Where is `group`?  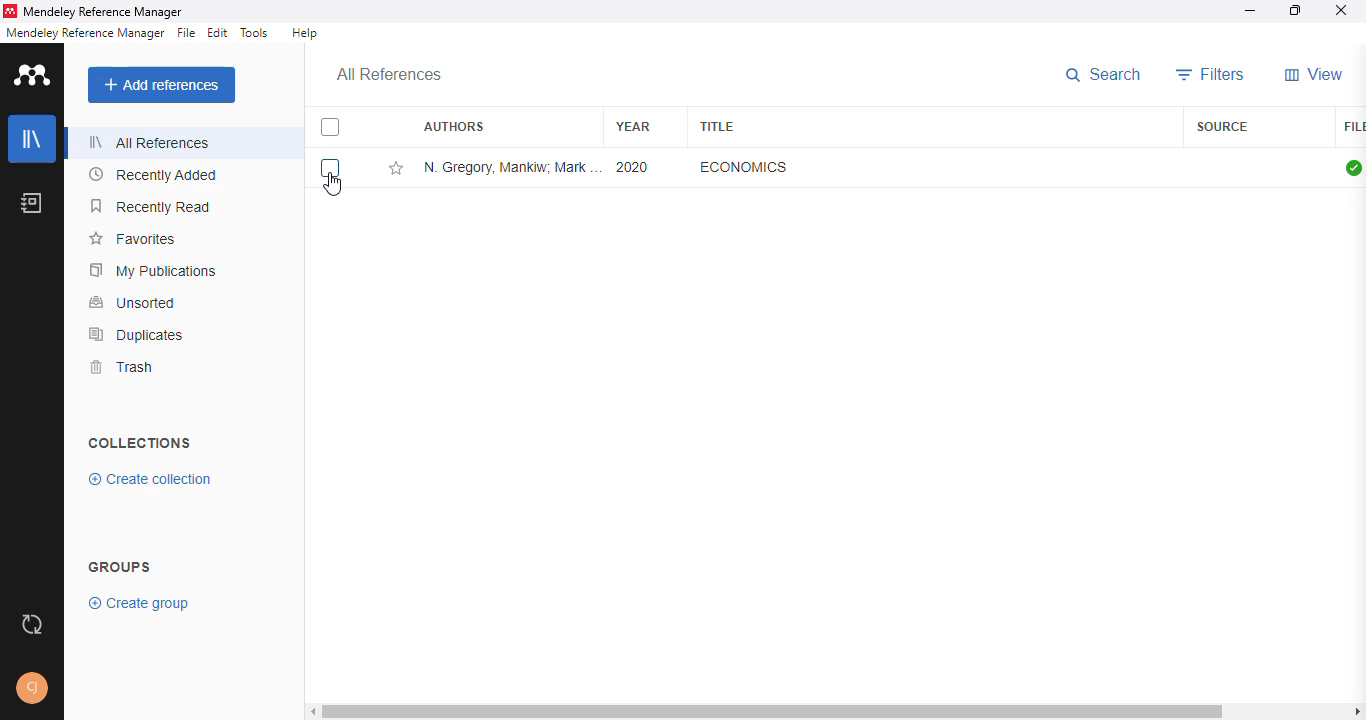
group is located at coordinates (120, 566).